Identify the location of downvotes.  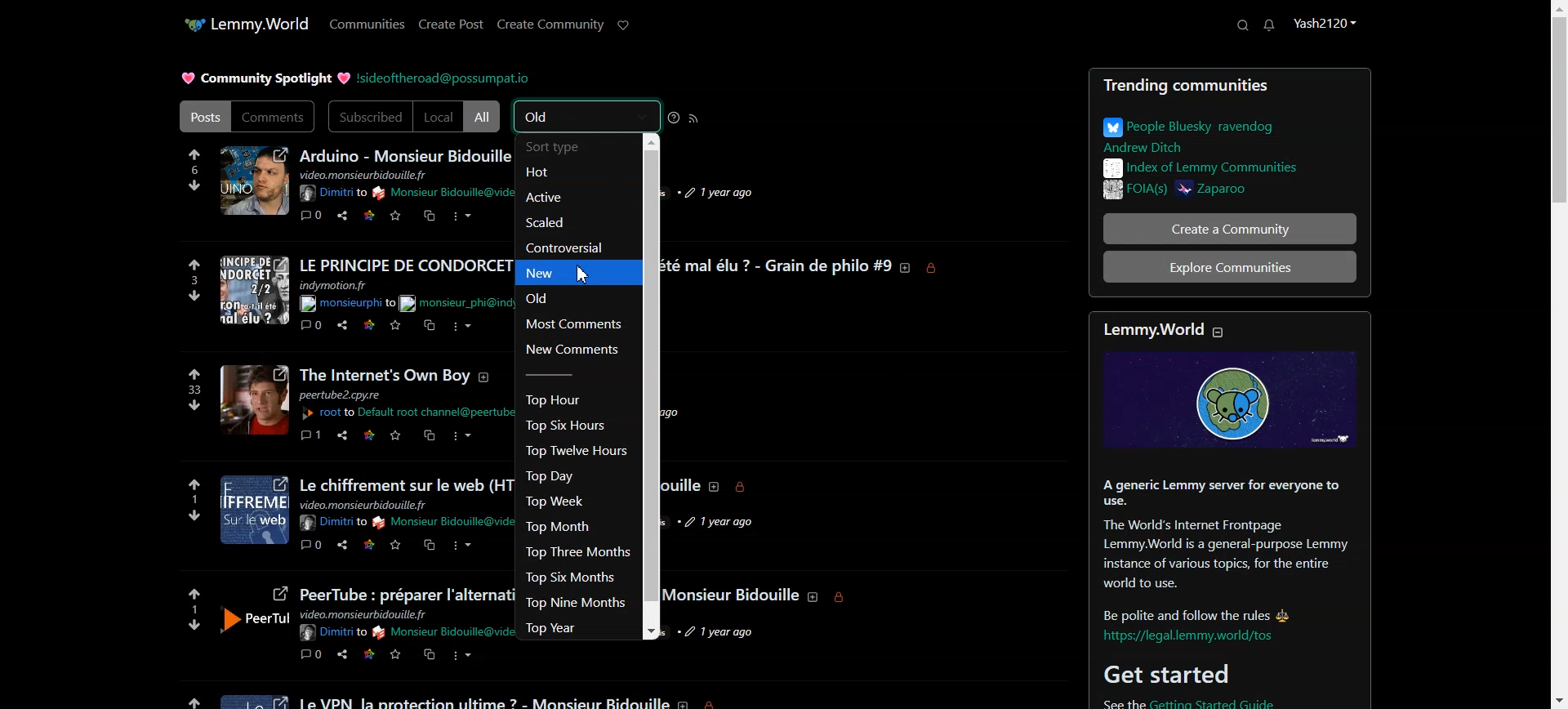
(186, 627).